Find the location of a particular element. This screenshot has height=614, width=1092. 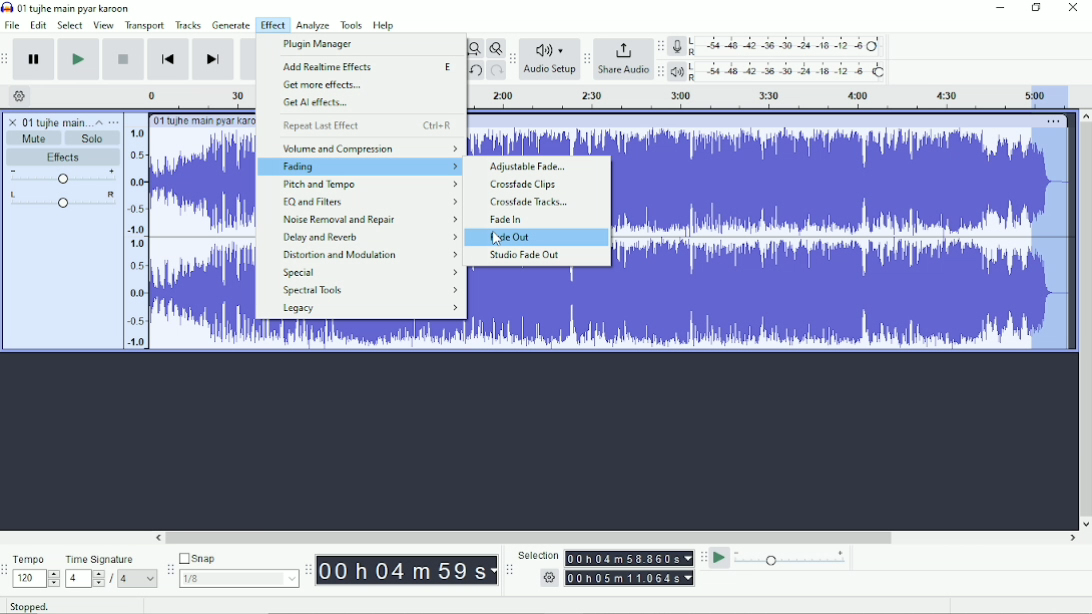

Effects is located at coordinates (63, 157).